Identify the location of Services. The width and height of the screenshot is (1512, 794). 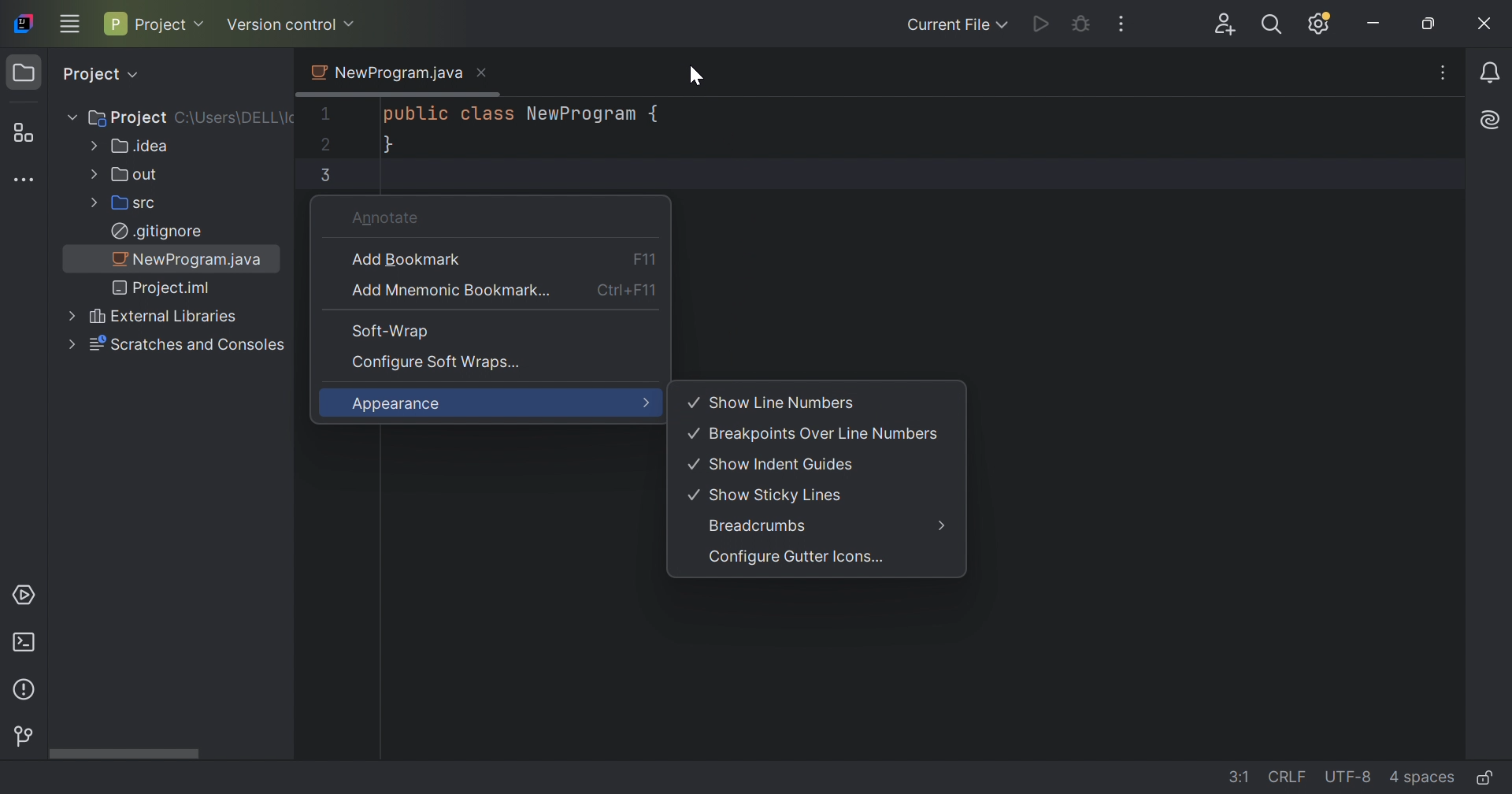
(23, 595).